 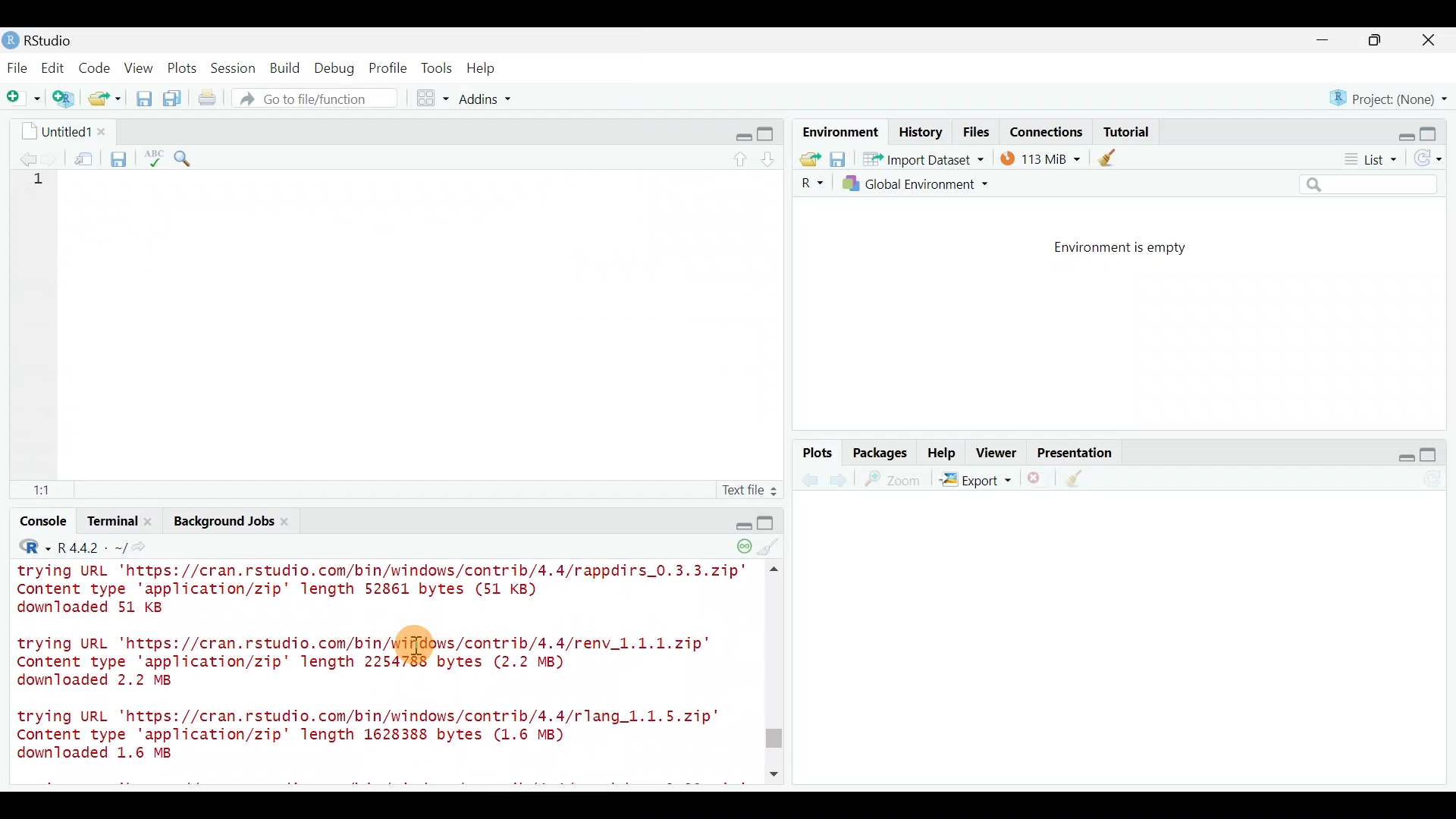 I want to click on save current document, so click(x=121, y=157).